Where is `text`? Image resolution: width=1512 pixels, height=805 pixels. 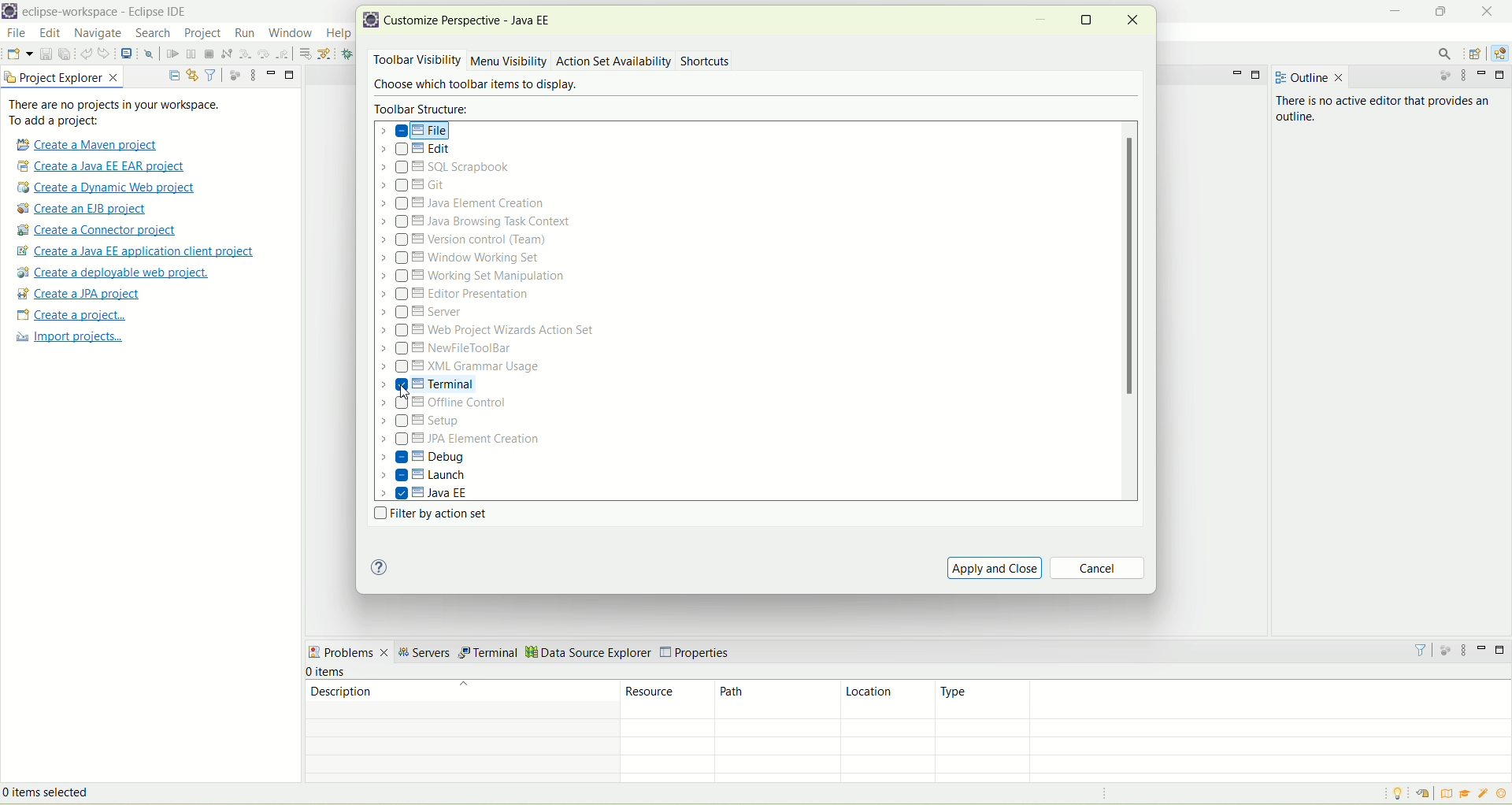
text is located at coordinates (124, 113).